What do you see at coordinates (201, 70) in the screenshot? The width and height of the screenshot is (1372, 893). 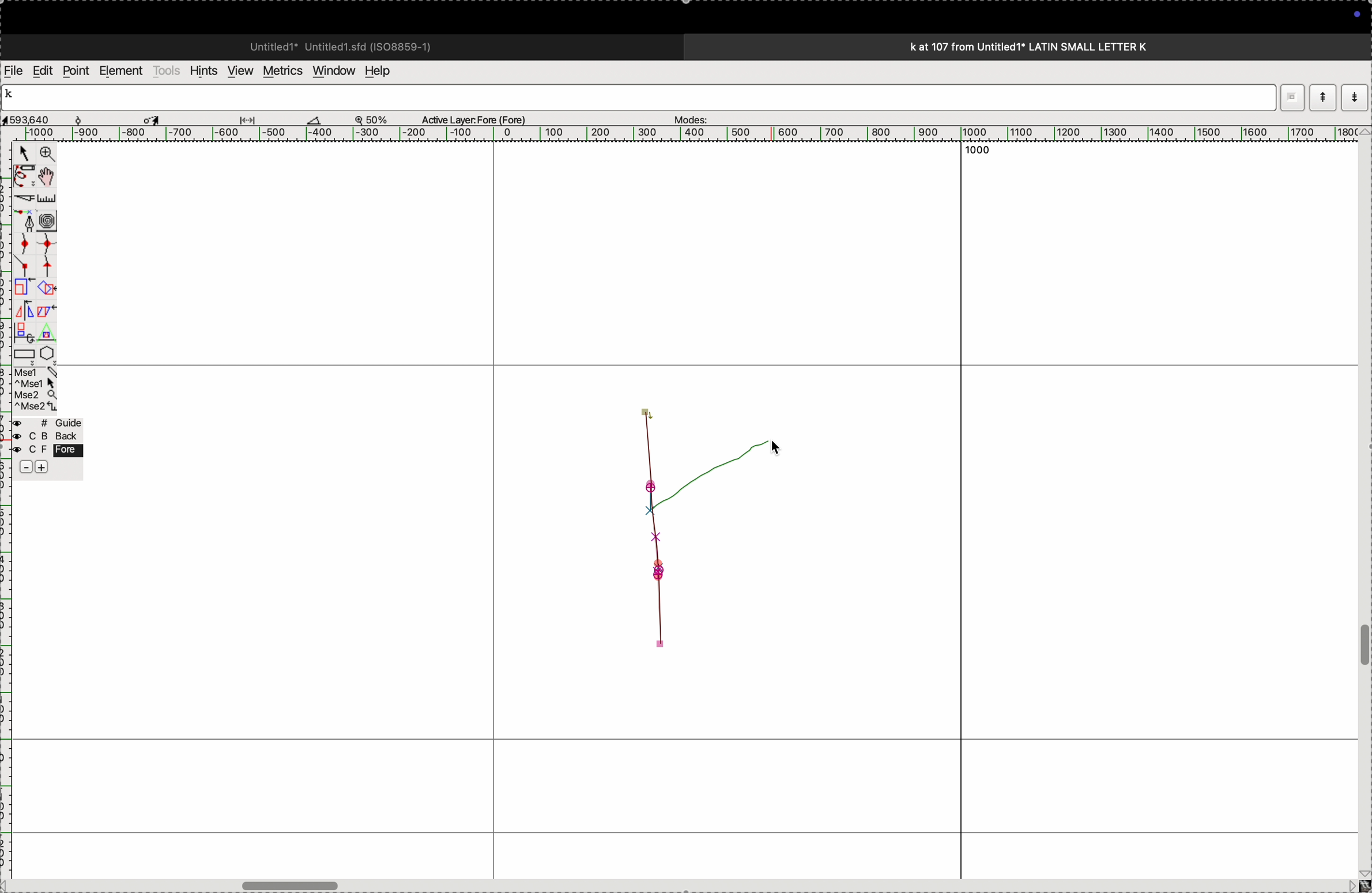 I see `hints` at bounding box center [201, 70].